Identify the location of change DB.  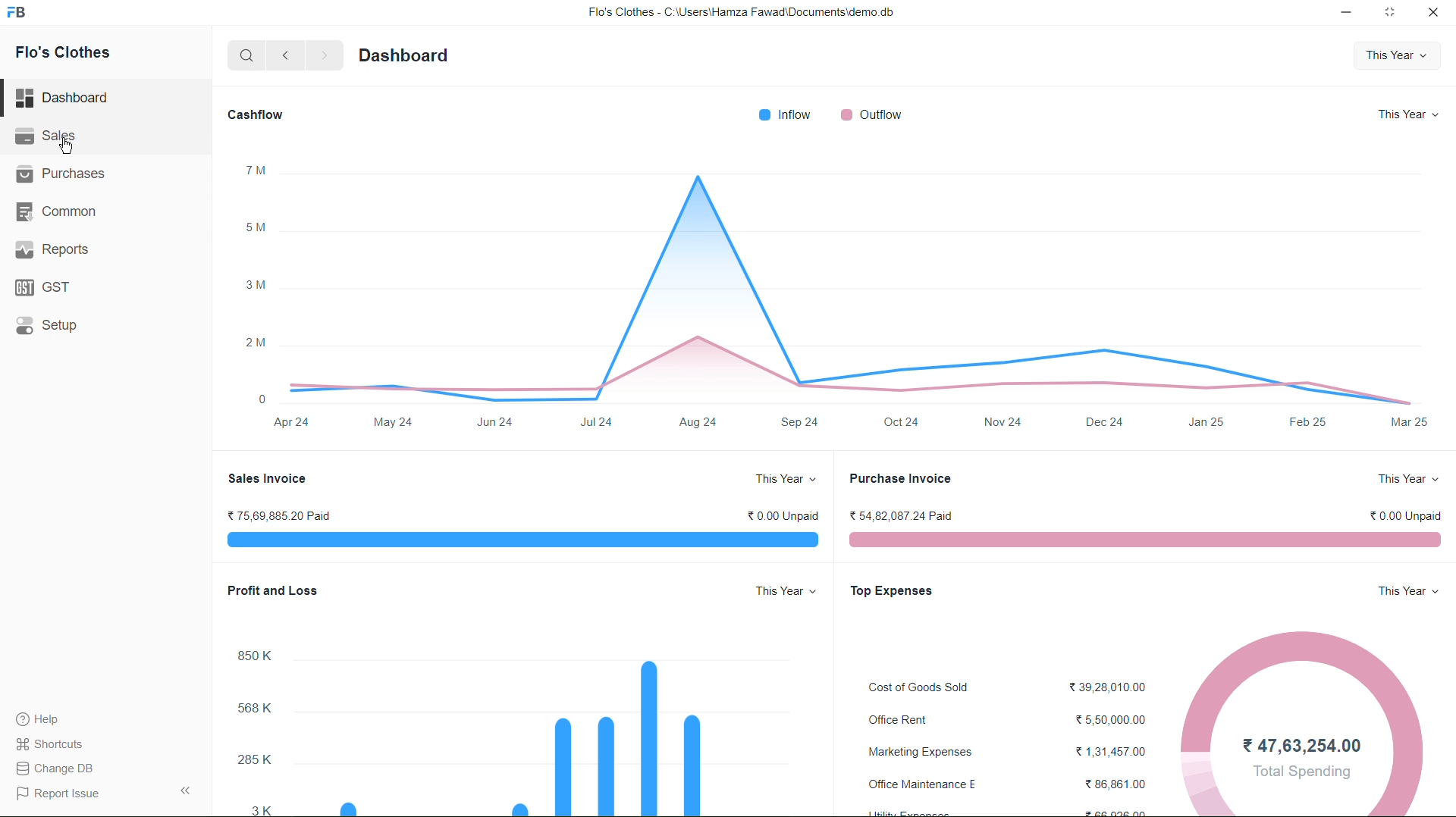
(55, 768).